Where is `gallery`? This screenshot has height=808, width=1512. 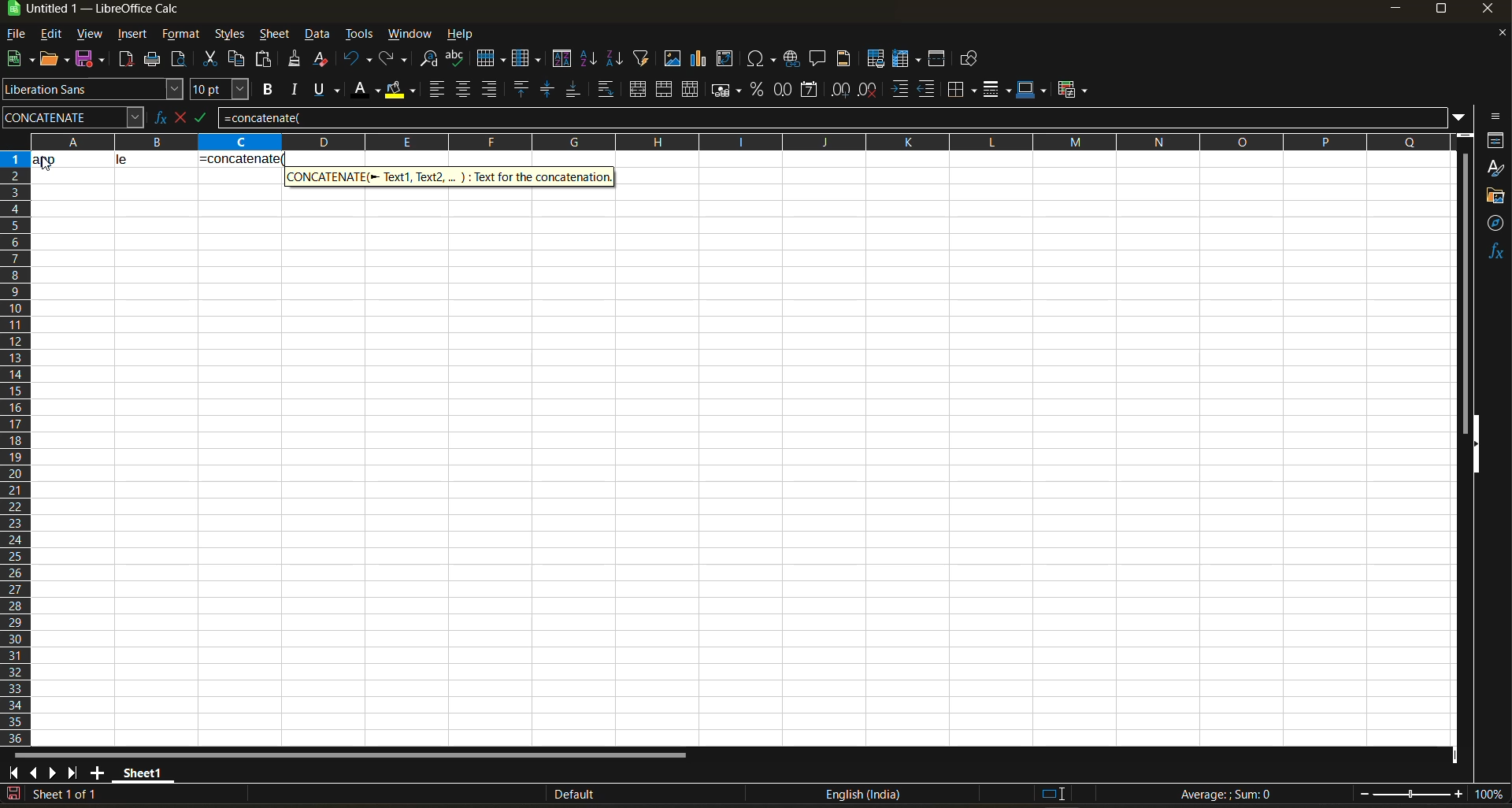 gallery is located at coordinates (1496, 198).